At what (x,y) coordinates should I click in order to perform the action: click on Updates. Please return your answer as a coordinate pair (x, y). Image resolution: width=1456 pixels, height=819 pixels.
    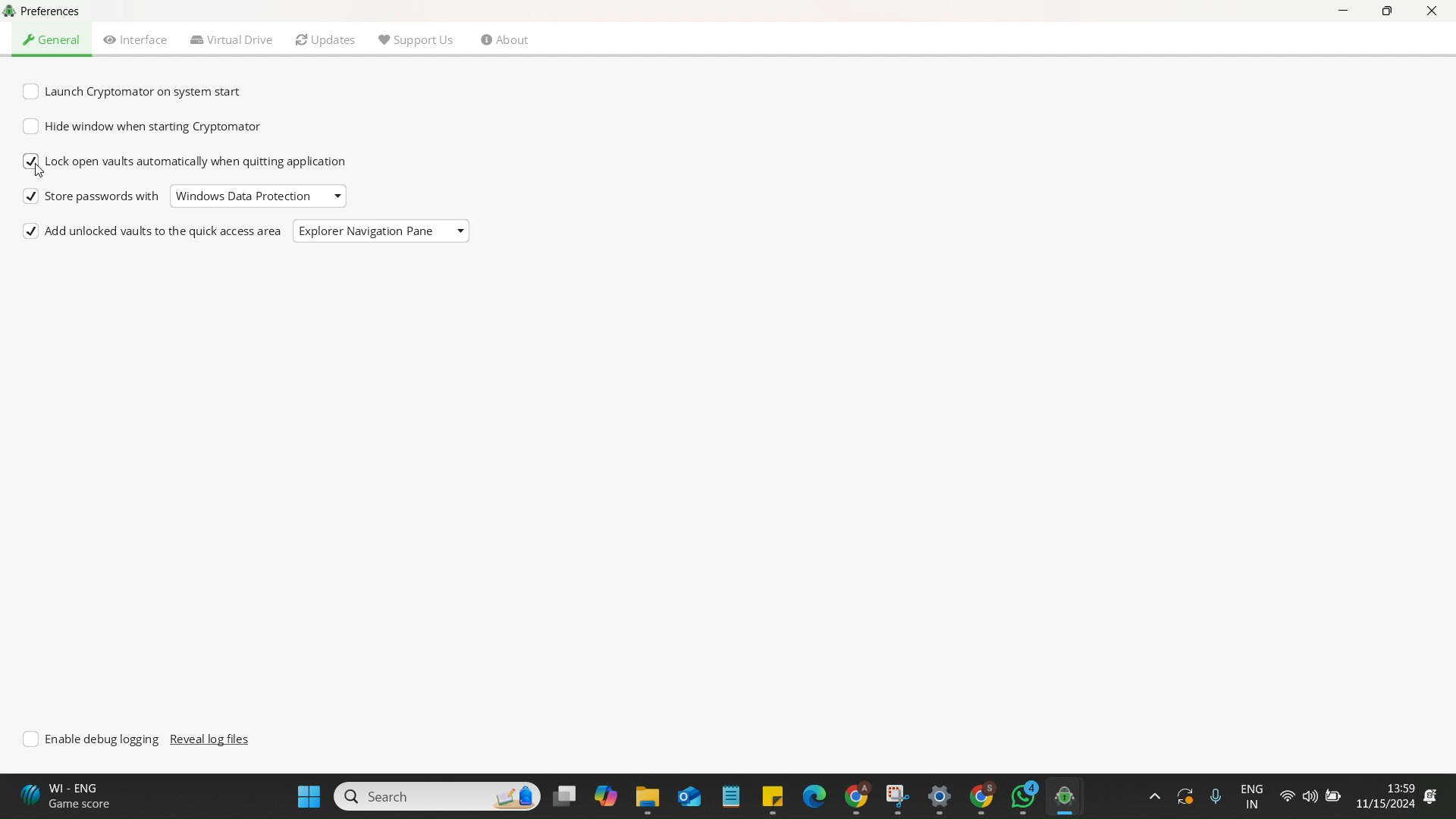
    Looking at the image, I should click on (326, 40).